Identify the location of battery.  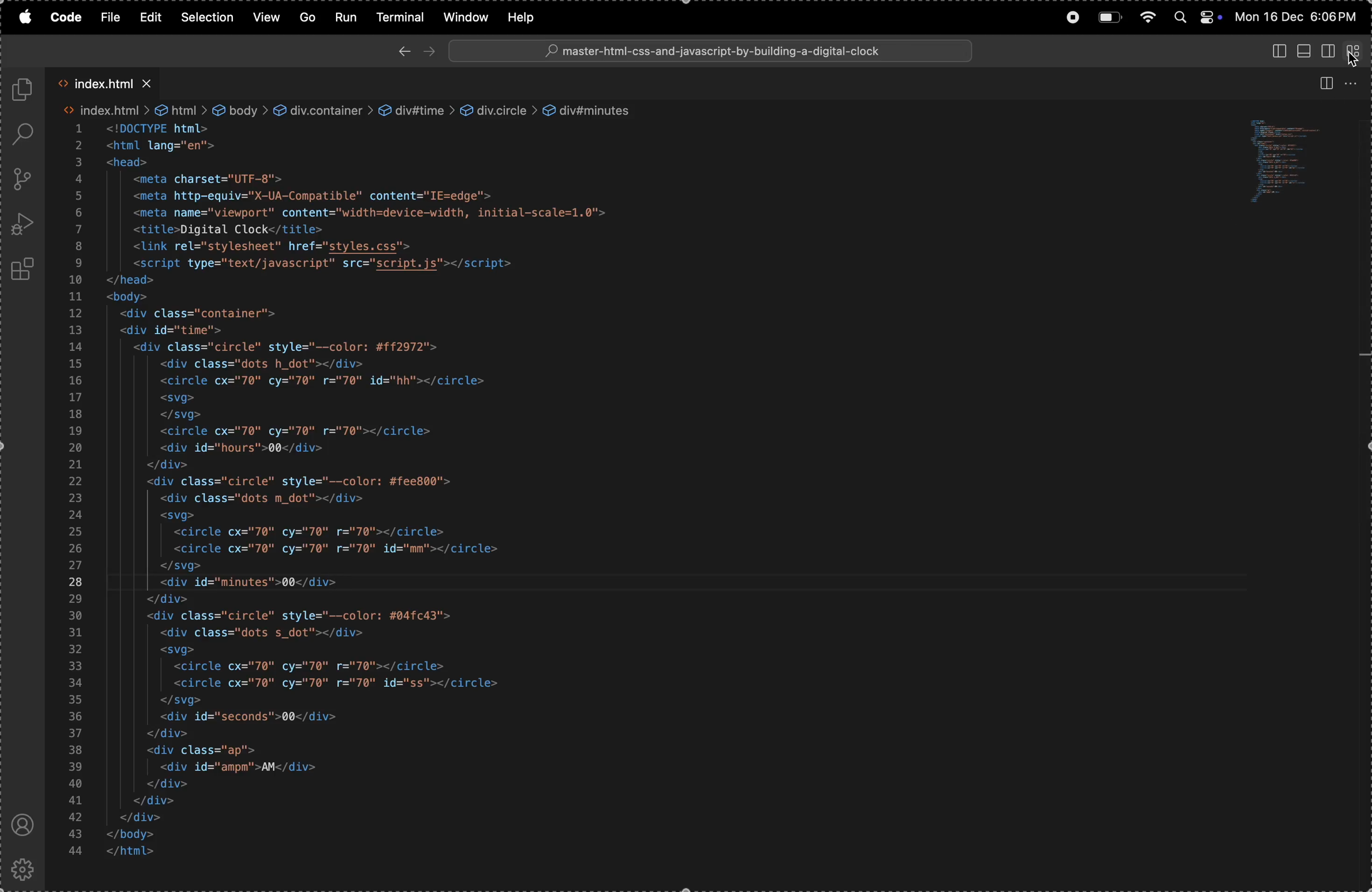
(1109, 18).